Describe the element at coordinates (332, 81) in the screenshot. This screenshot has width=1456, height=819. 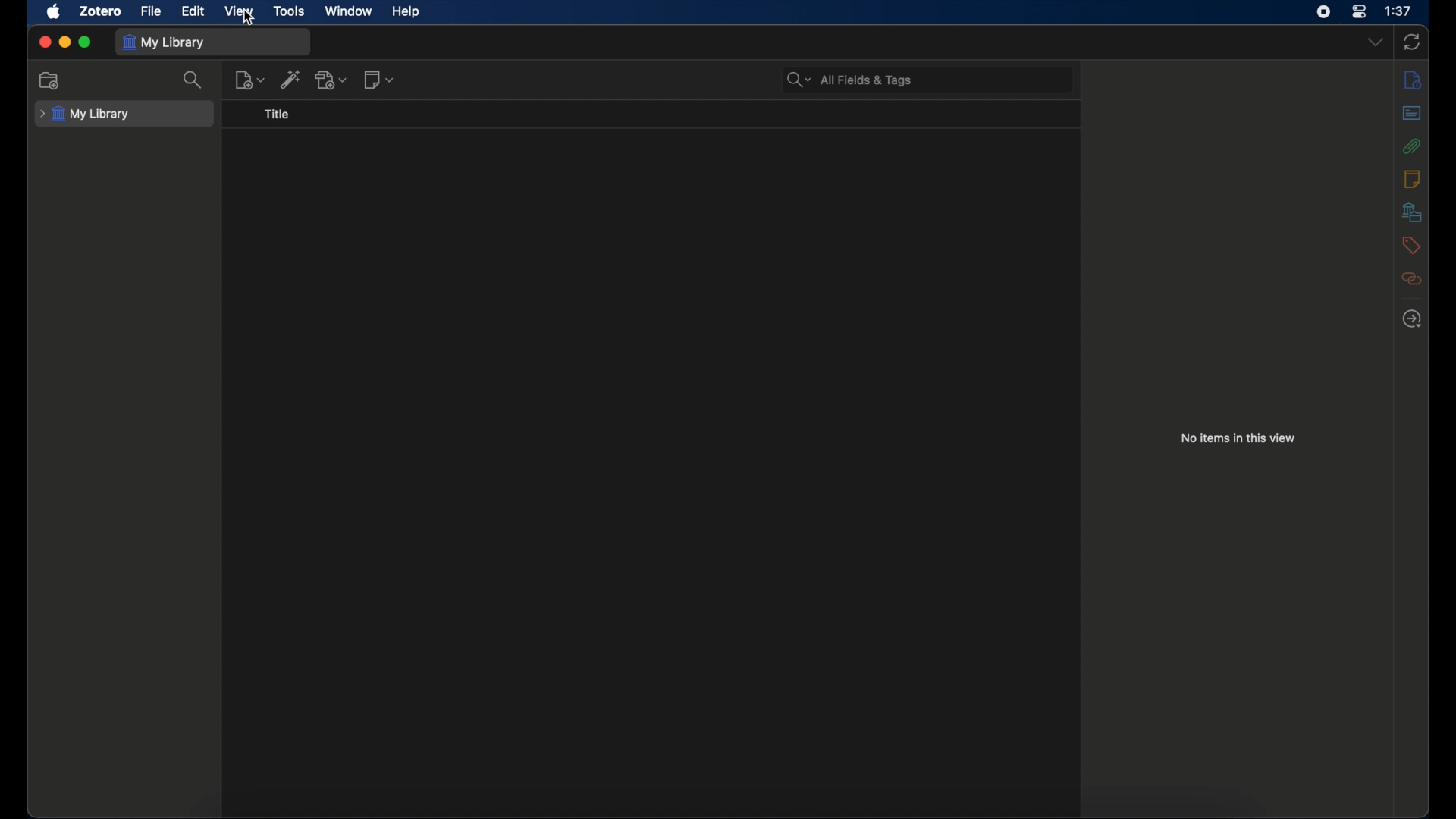
I see `add attachments` at that location.